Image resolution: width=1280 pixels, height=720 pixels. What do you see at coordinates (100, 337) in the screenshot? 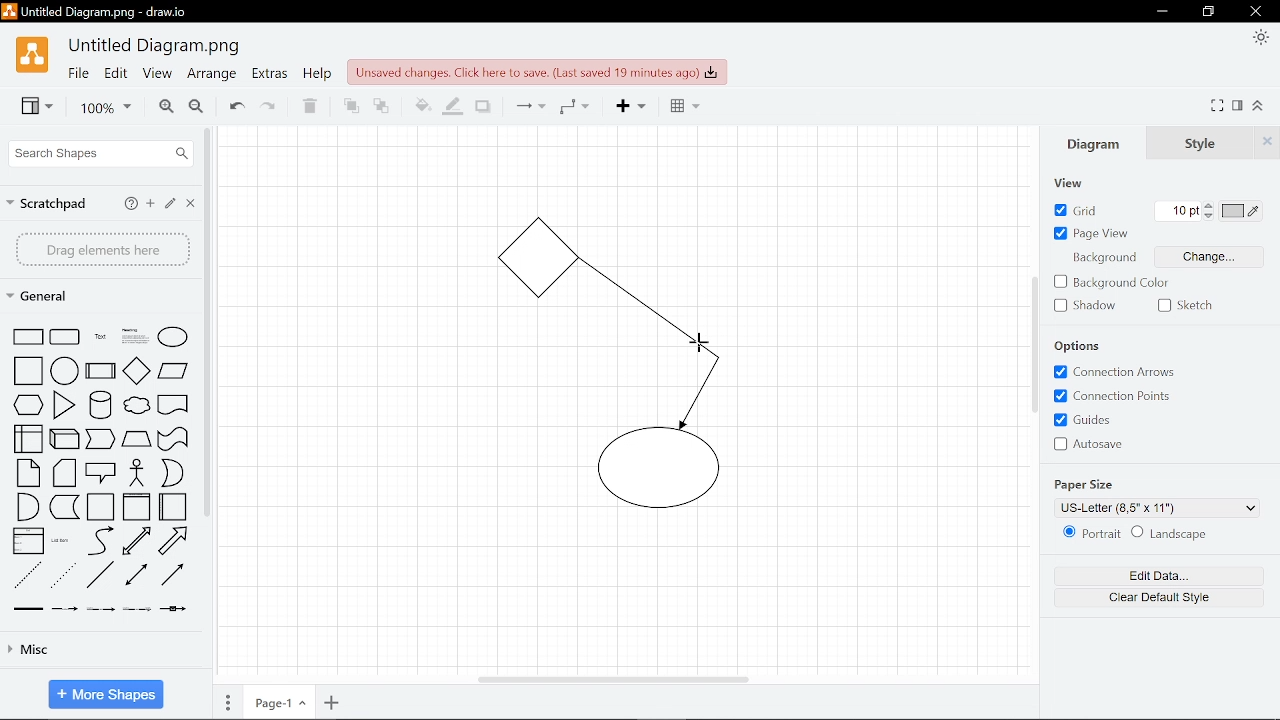
I see `shape` at bounding box center [100, 337].